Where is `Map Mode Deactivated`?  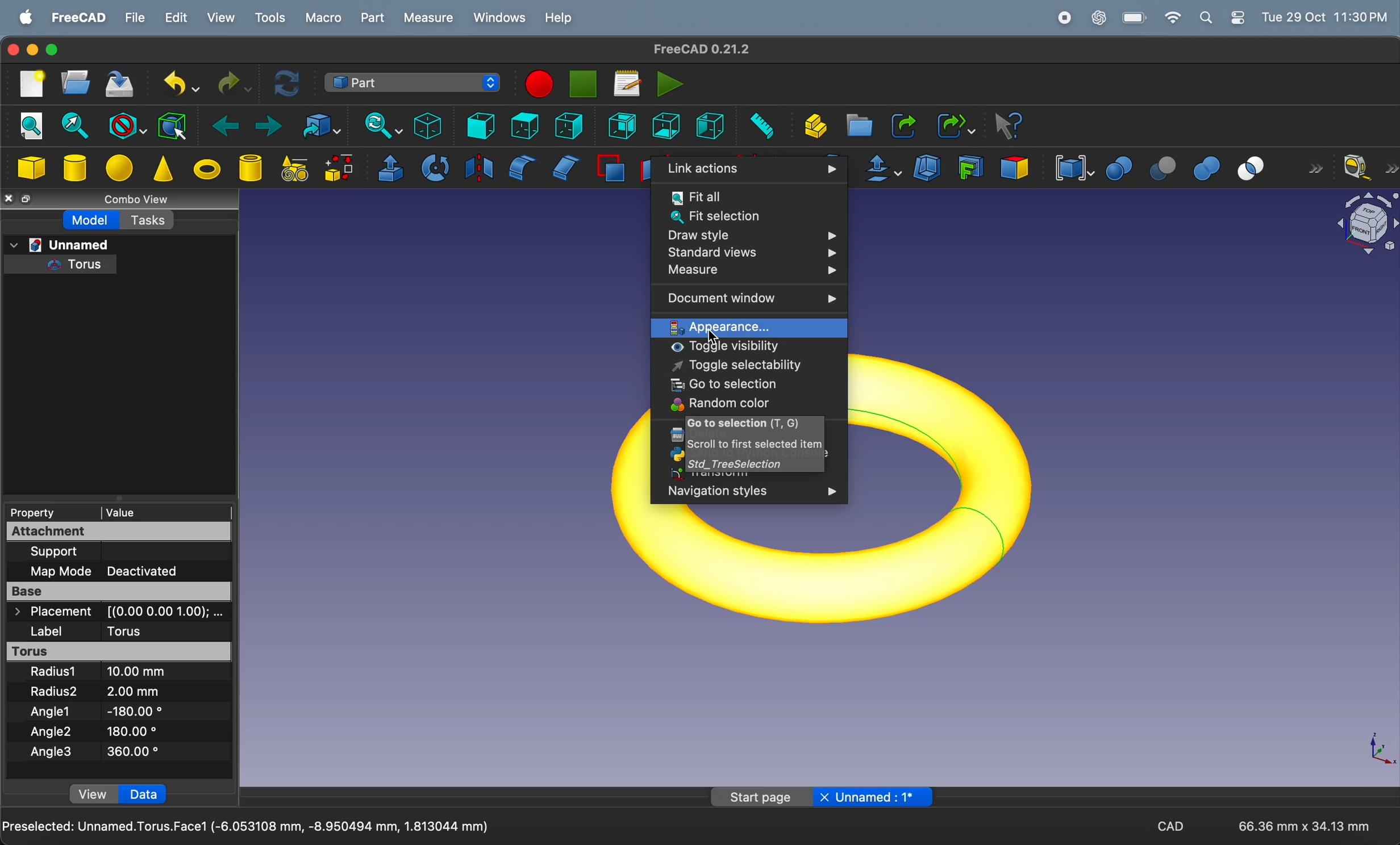
Map Mode Deactivated is located at coordinates (105, 572).